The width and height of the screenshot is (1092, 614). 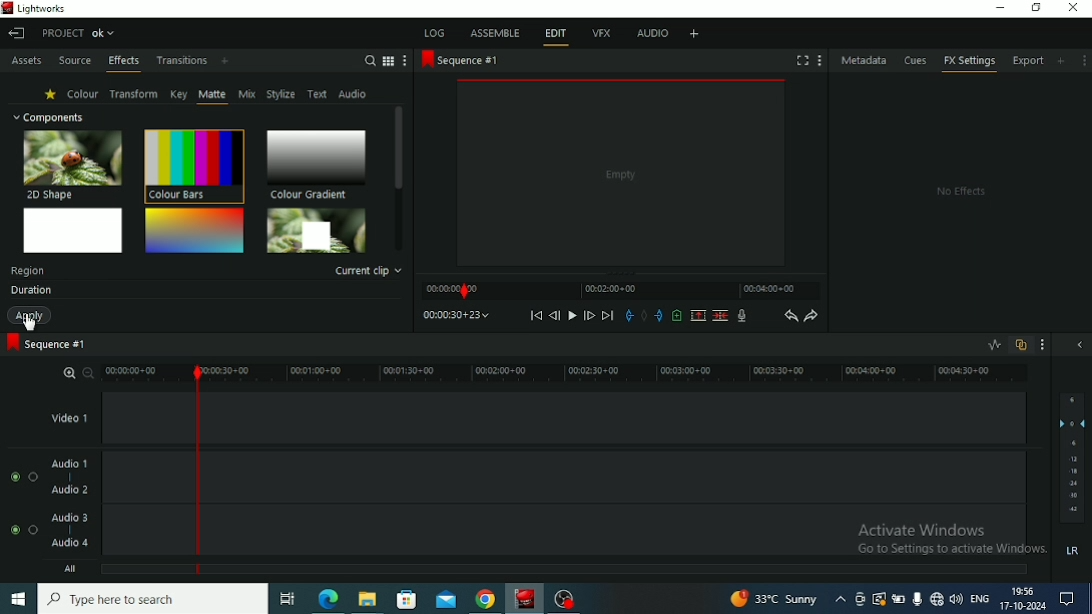 I want to click on Show setting menu, so click(x=1044, y=345).